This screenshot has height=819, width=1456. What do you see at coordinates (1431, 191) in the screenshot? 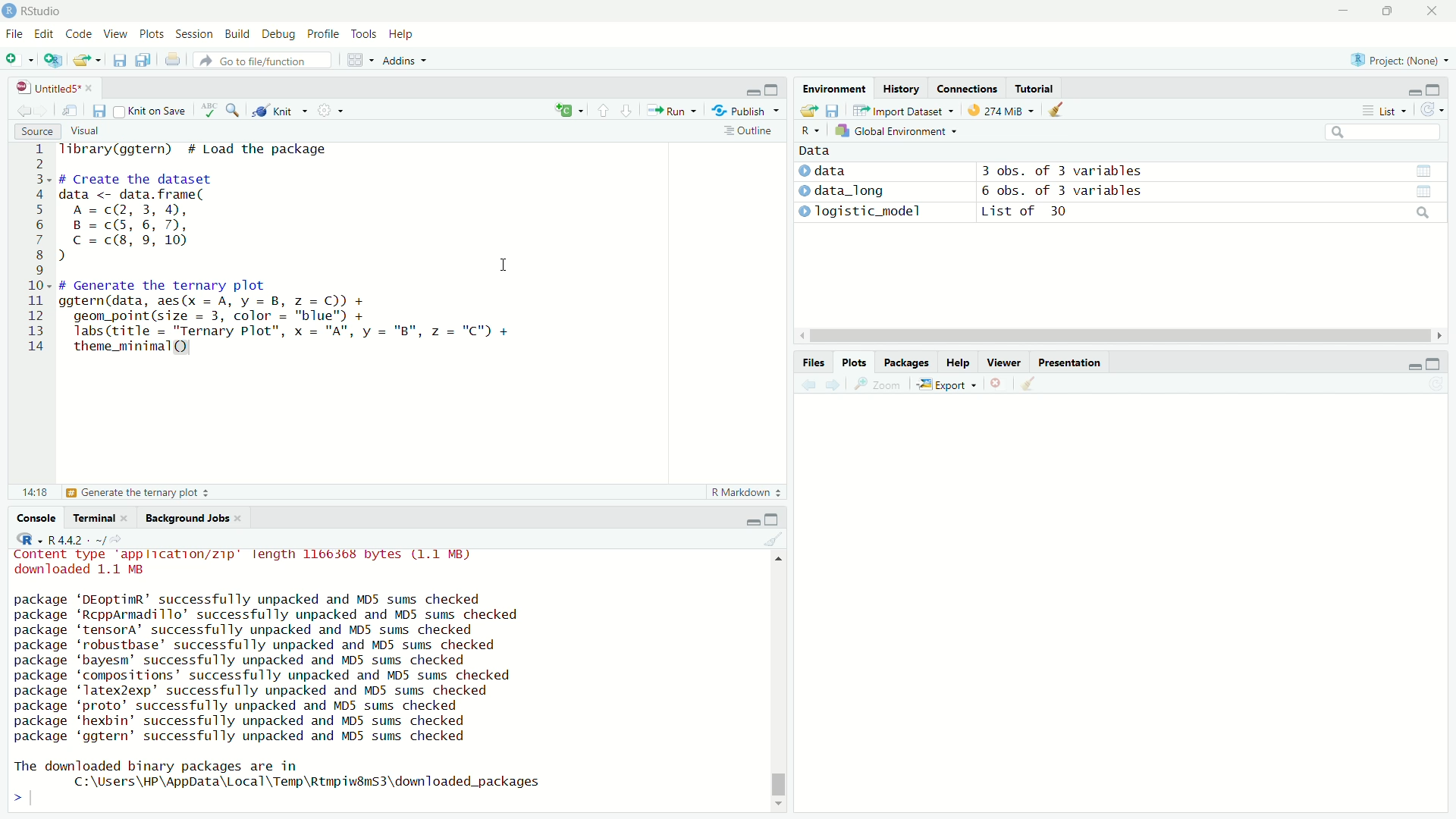
I see `view` at bounding box center [1431, 191].